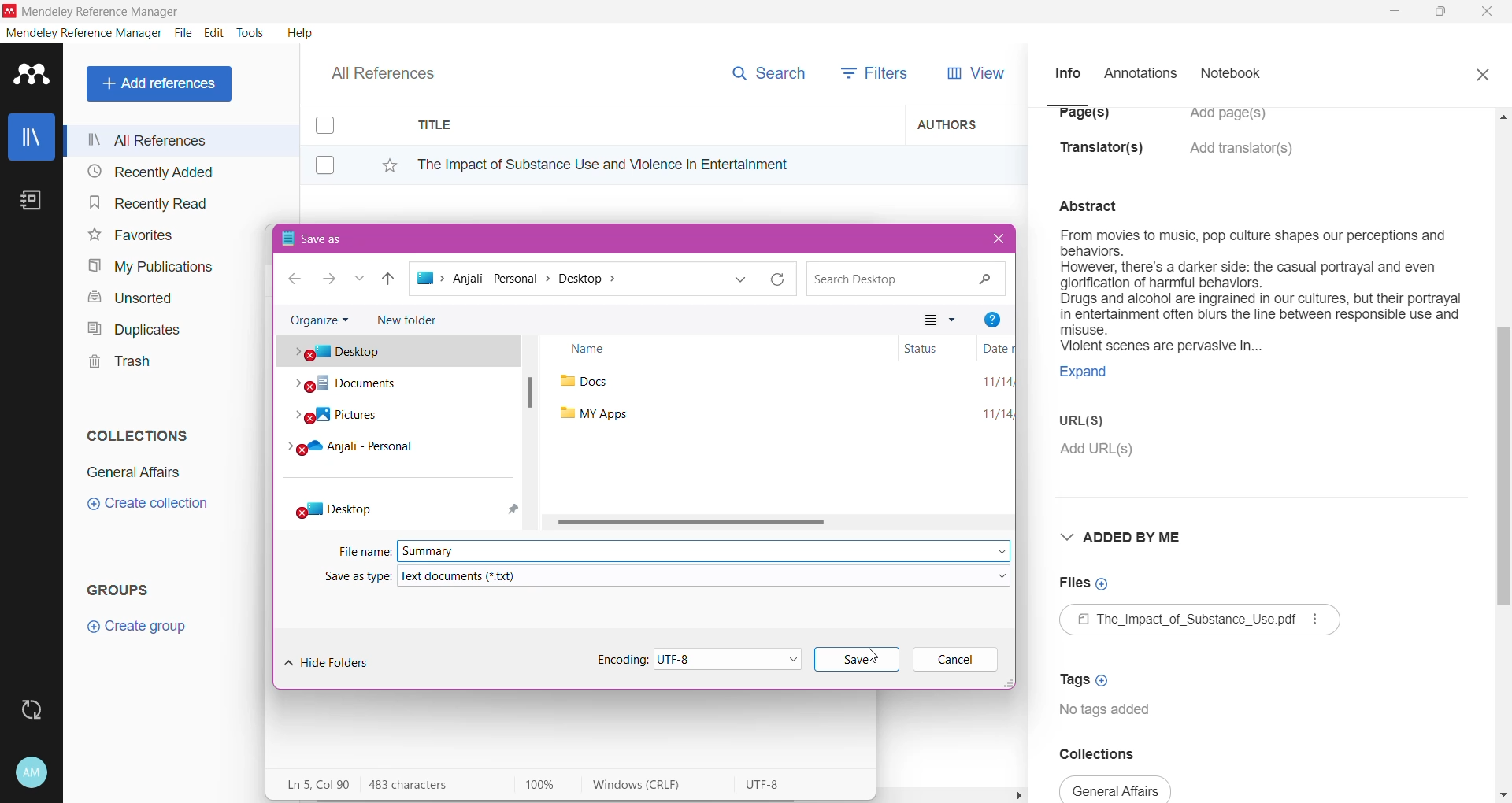  Describe the element at coordinates (1259, 313) in the screenshot. I see `Document summary selected to be copied` at that location.